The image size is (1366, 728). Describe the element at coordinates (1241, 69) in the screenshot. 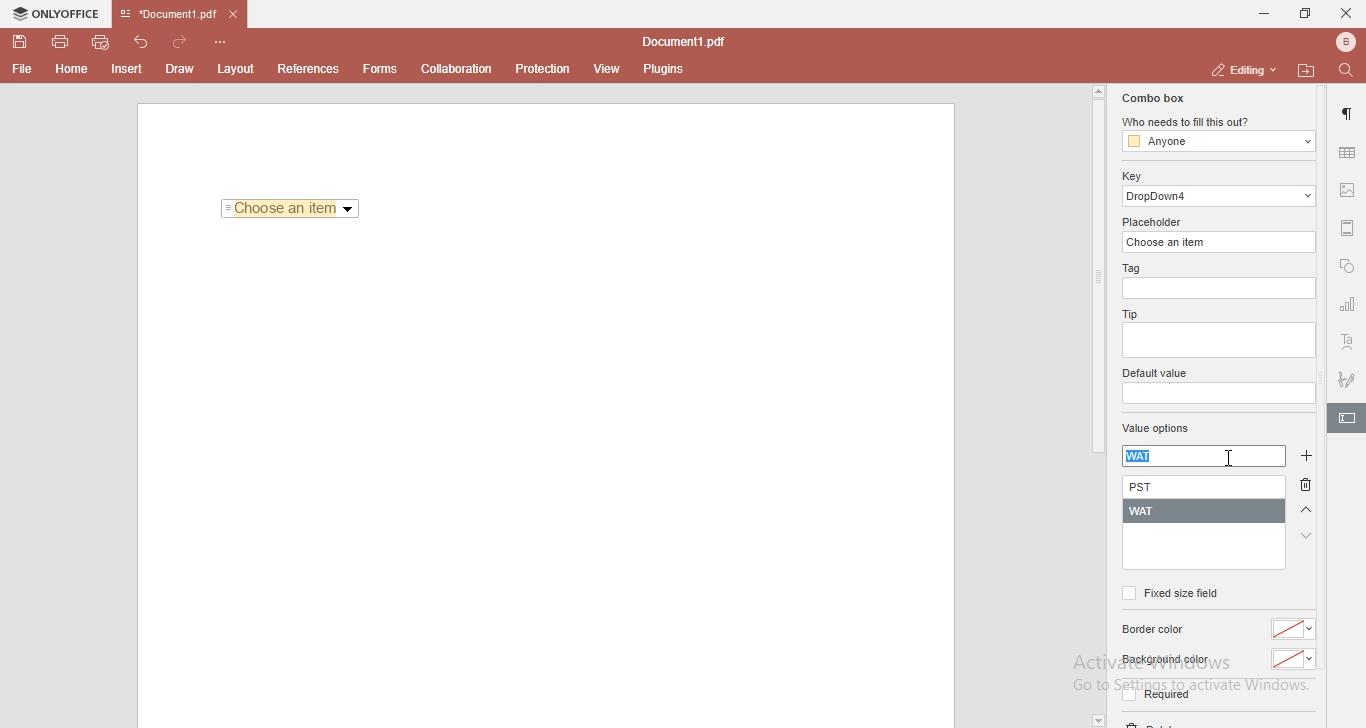

I see `editing` at that location.